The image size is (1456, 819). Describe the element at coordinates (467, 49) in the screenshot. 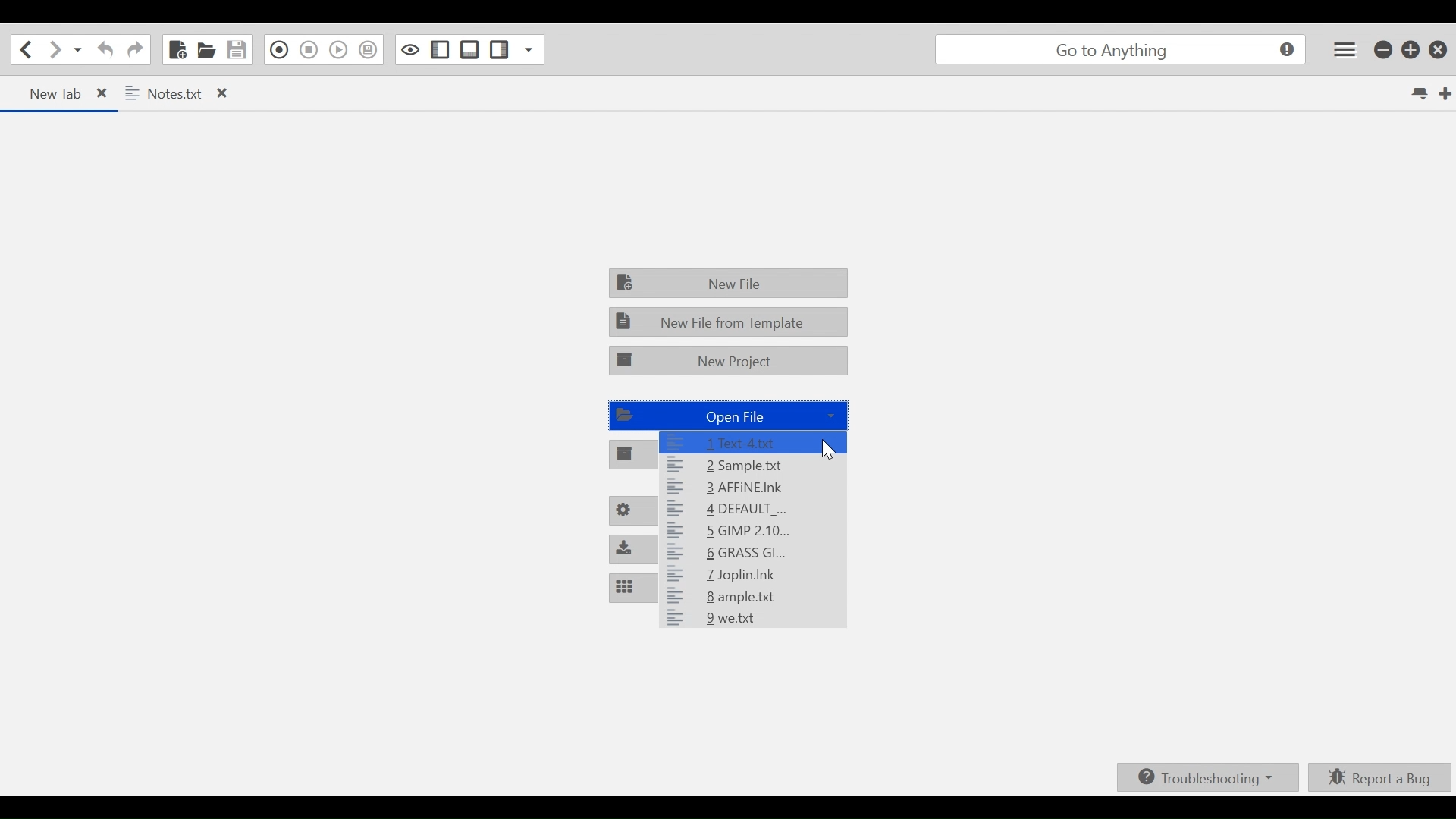

I see `Show/ide Bottom Sidebar` at that location.